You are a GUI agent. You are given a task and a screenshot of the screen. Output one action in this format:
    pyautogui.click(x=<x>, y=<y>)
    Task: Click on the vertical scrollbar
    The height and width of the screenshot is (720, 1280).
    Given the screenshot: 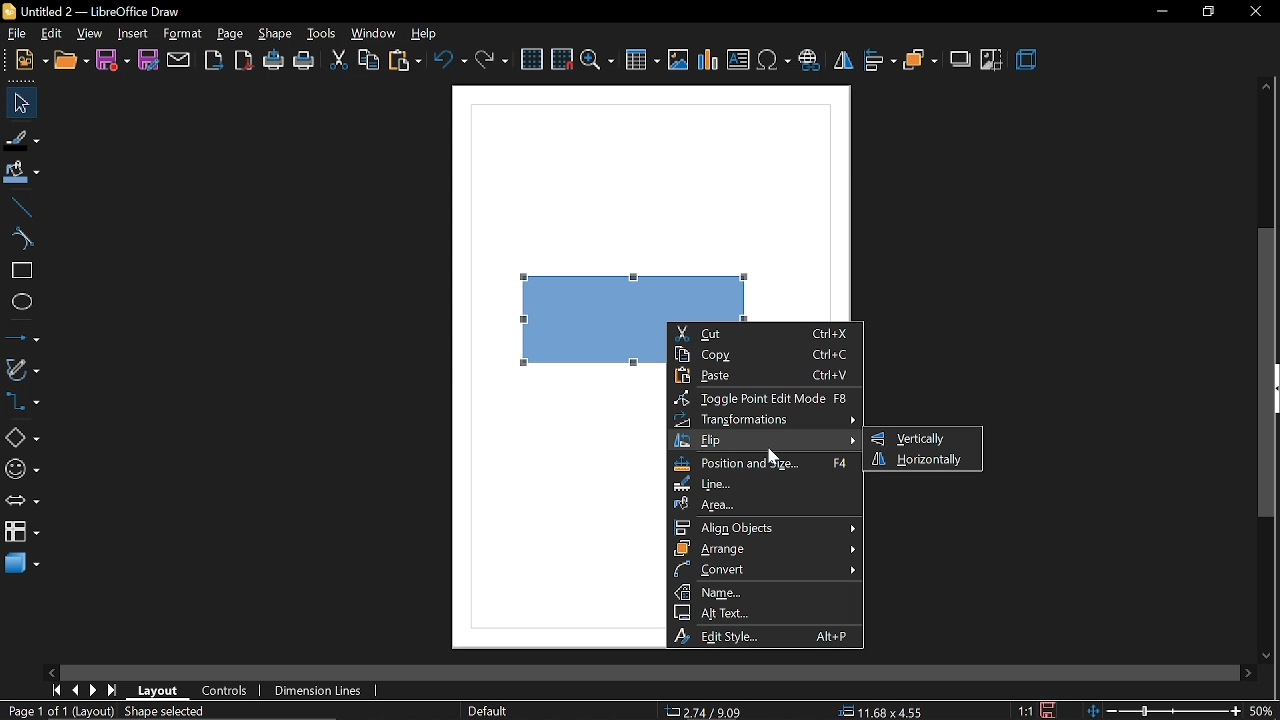 What is the action you would take?
    pyautogui.click(x=1267, y=373)
    